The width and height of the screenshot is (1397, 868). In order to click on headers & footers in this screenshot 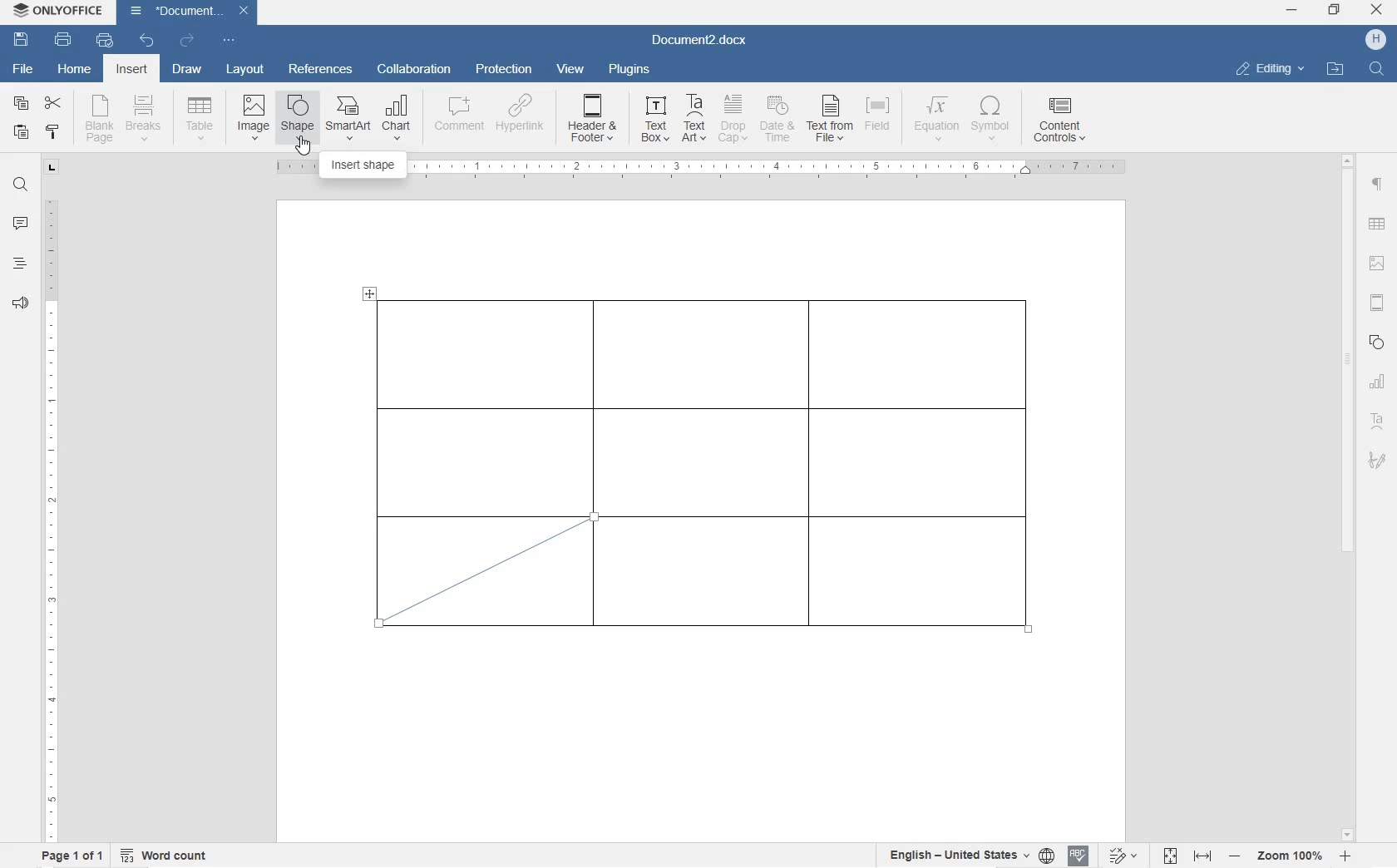, I will do `click(1378, 304)`.